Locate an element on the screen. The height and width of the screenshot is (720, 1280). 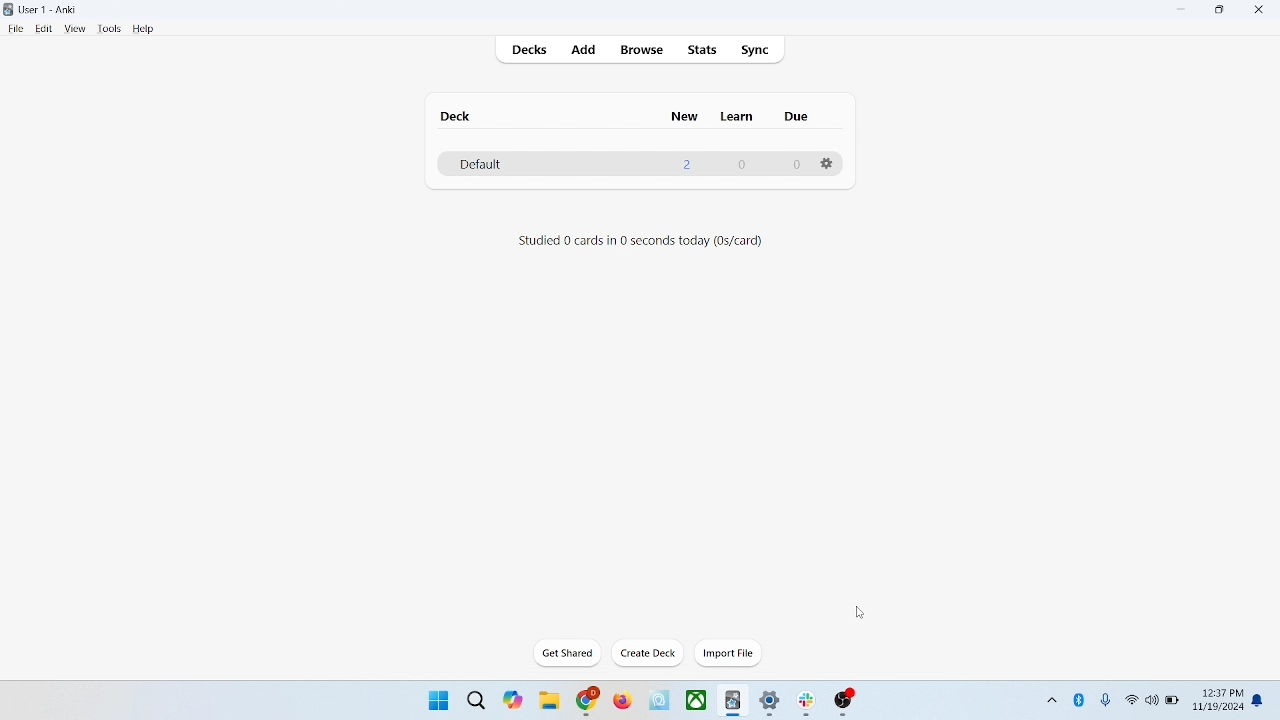
search is located at coordinates (477, 699).